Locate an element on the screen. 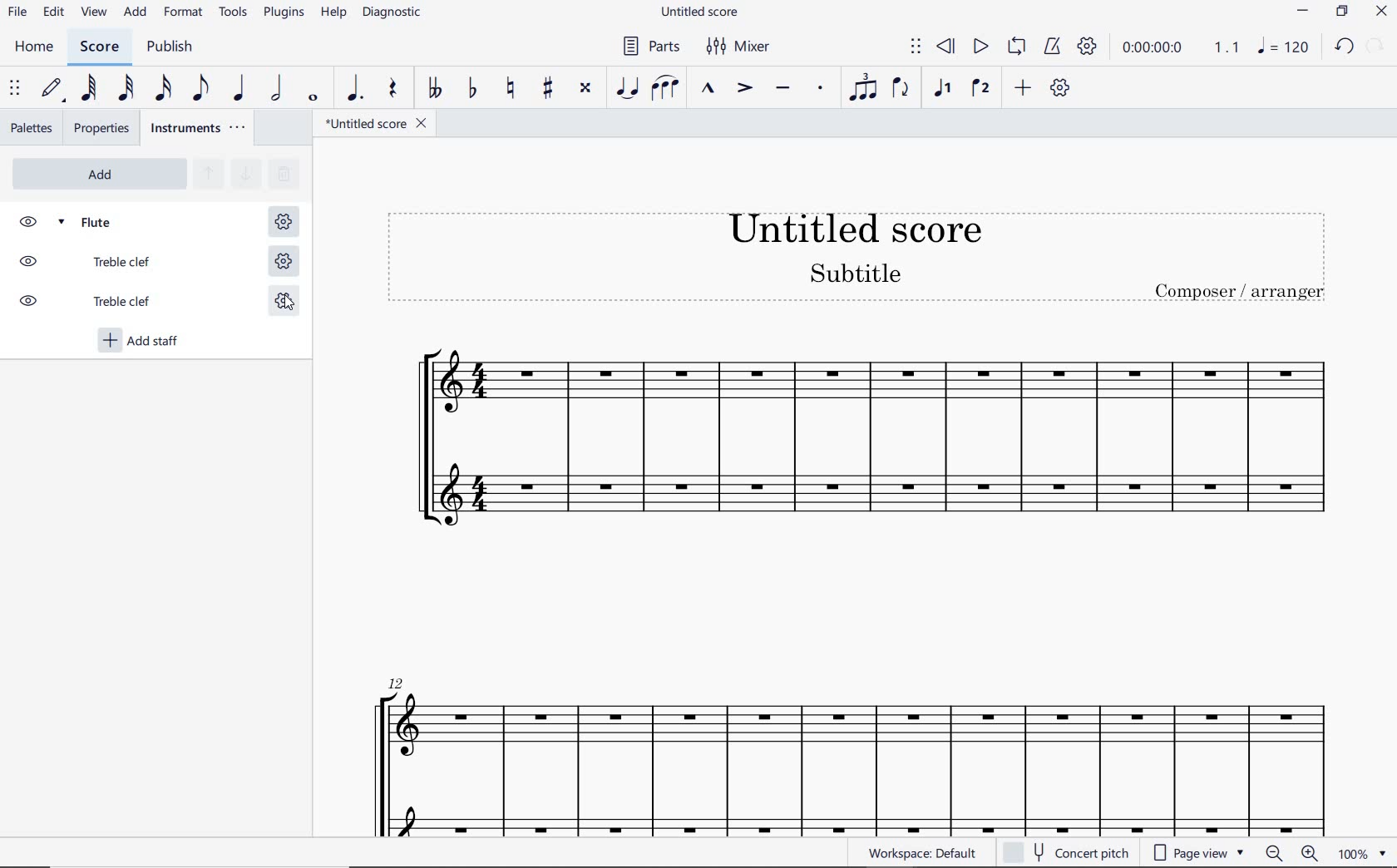 This screenshot has height=868, width=1397. zoom in or zoom out is located at coordinates (1288, 853).